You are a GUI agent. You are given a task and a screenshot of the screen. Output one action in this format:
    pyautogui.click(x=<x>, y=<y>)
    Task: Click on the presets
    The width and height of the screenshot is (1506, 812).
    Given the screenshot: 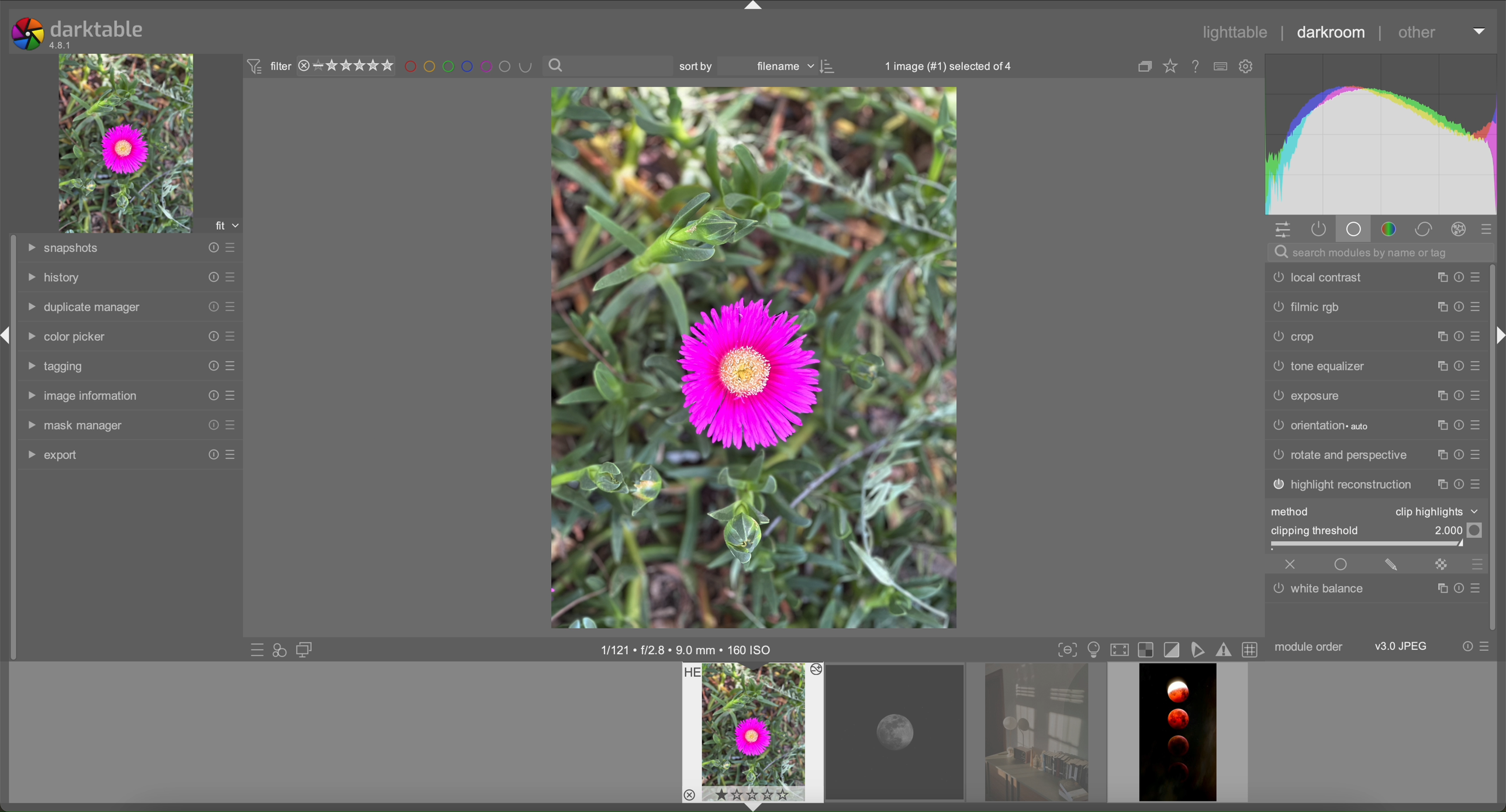 What is the action you would take?
    pyautogui.click(x=1477, y=366)
    